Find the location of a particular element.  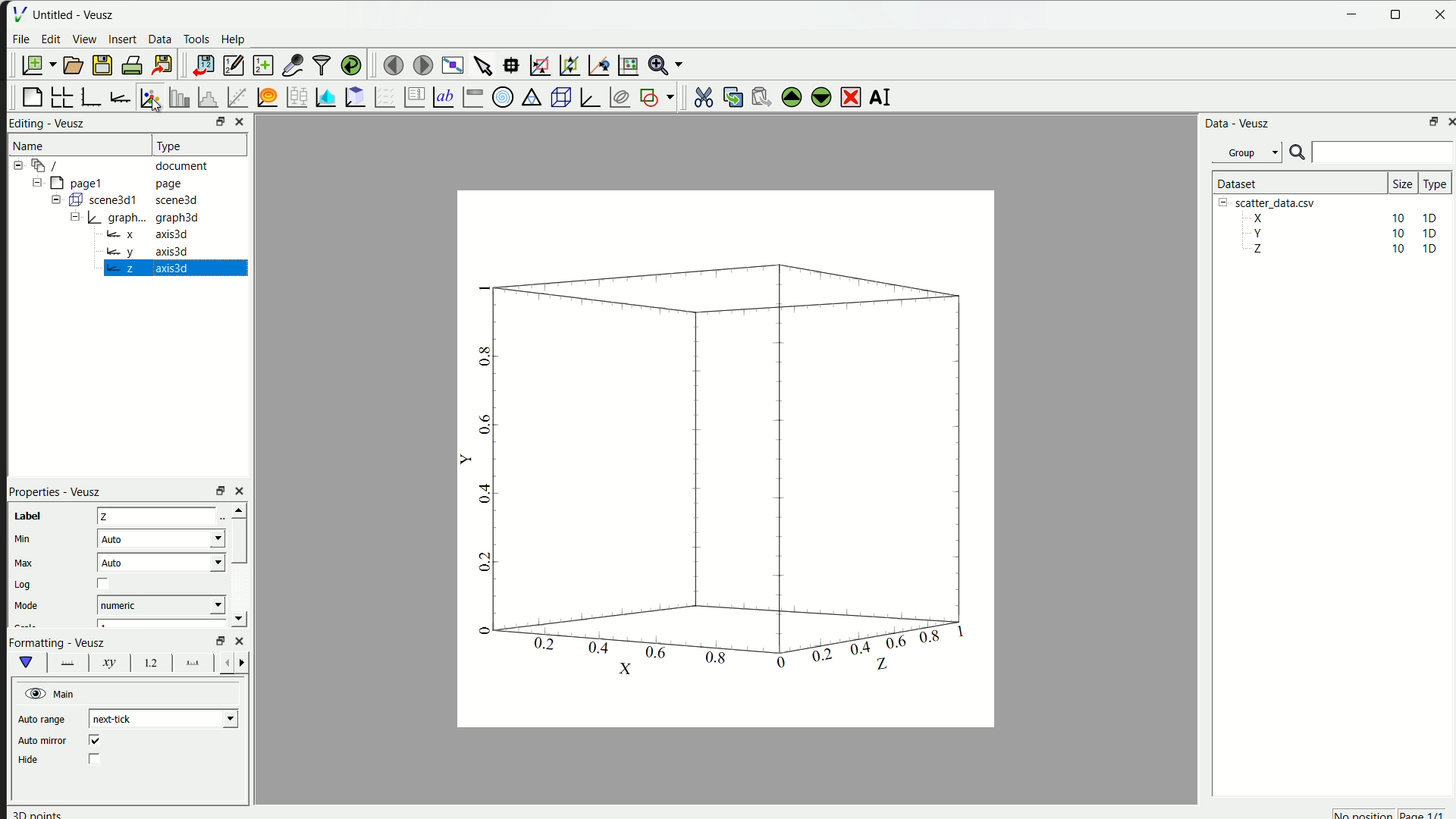

font is located at coordinates (118, 626).